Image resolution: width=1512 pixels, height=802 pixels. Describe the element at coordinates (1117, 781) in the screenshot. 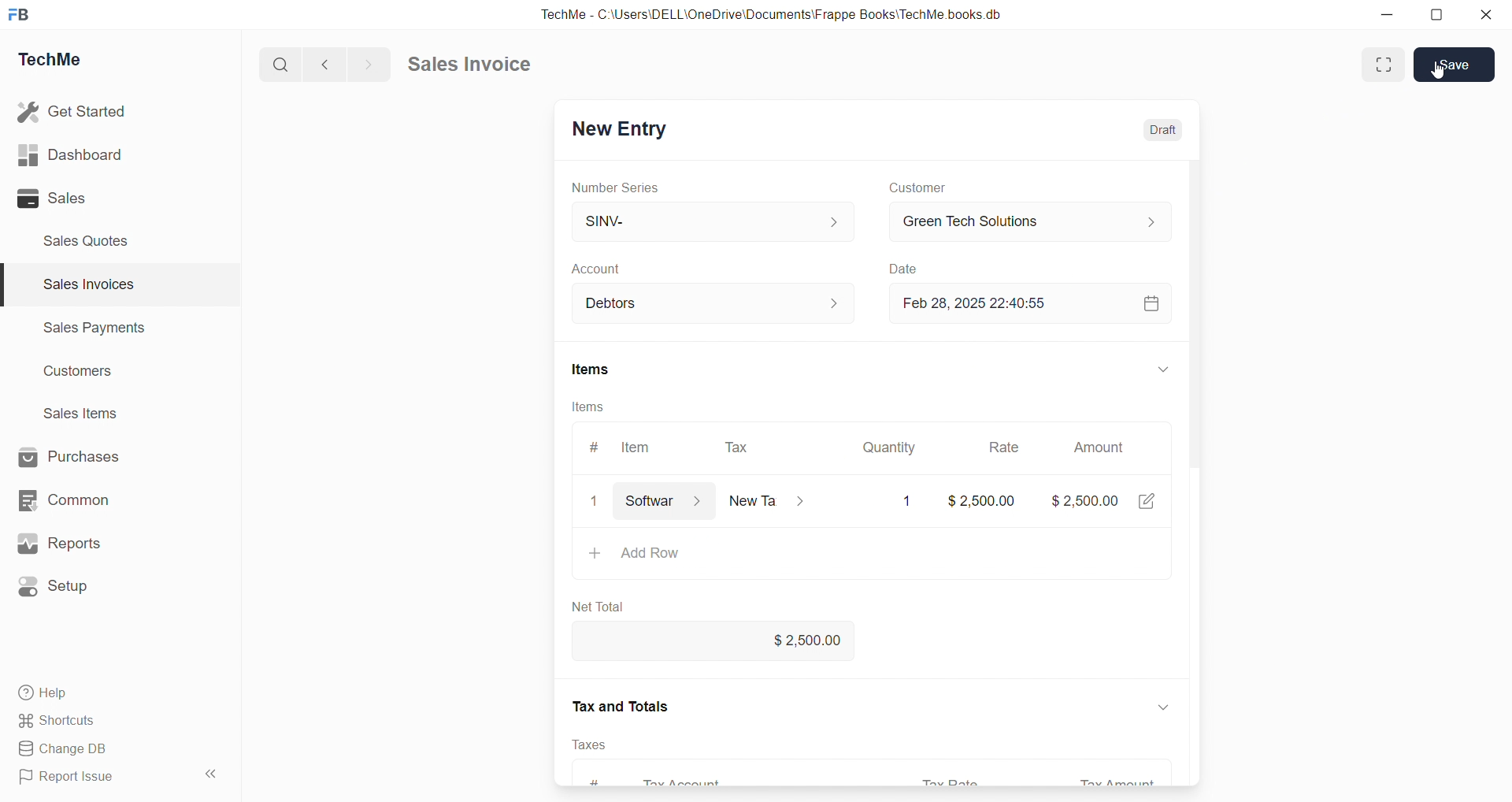

I see `Tax Amount` at that location.